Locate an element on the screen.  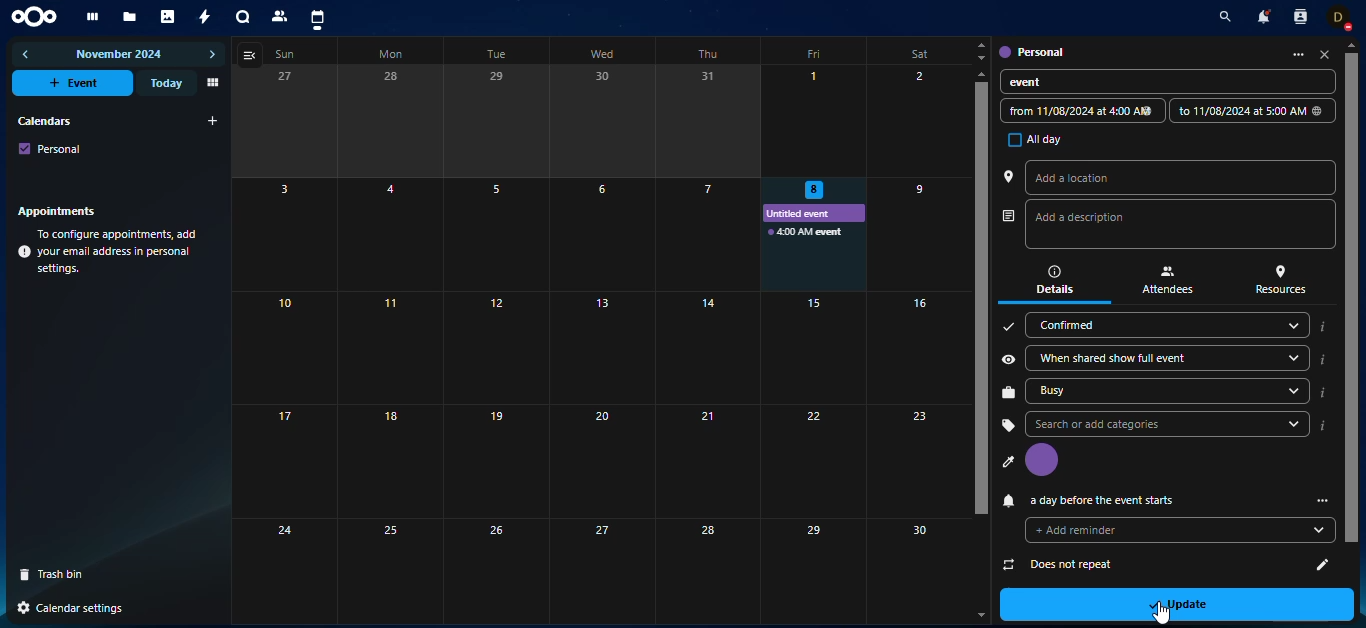
 is located at coordinates (812, 460).